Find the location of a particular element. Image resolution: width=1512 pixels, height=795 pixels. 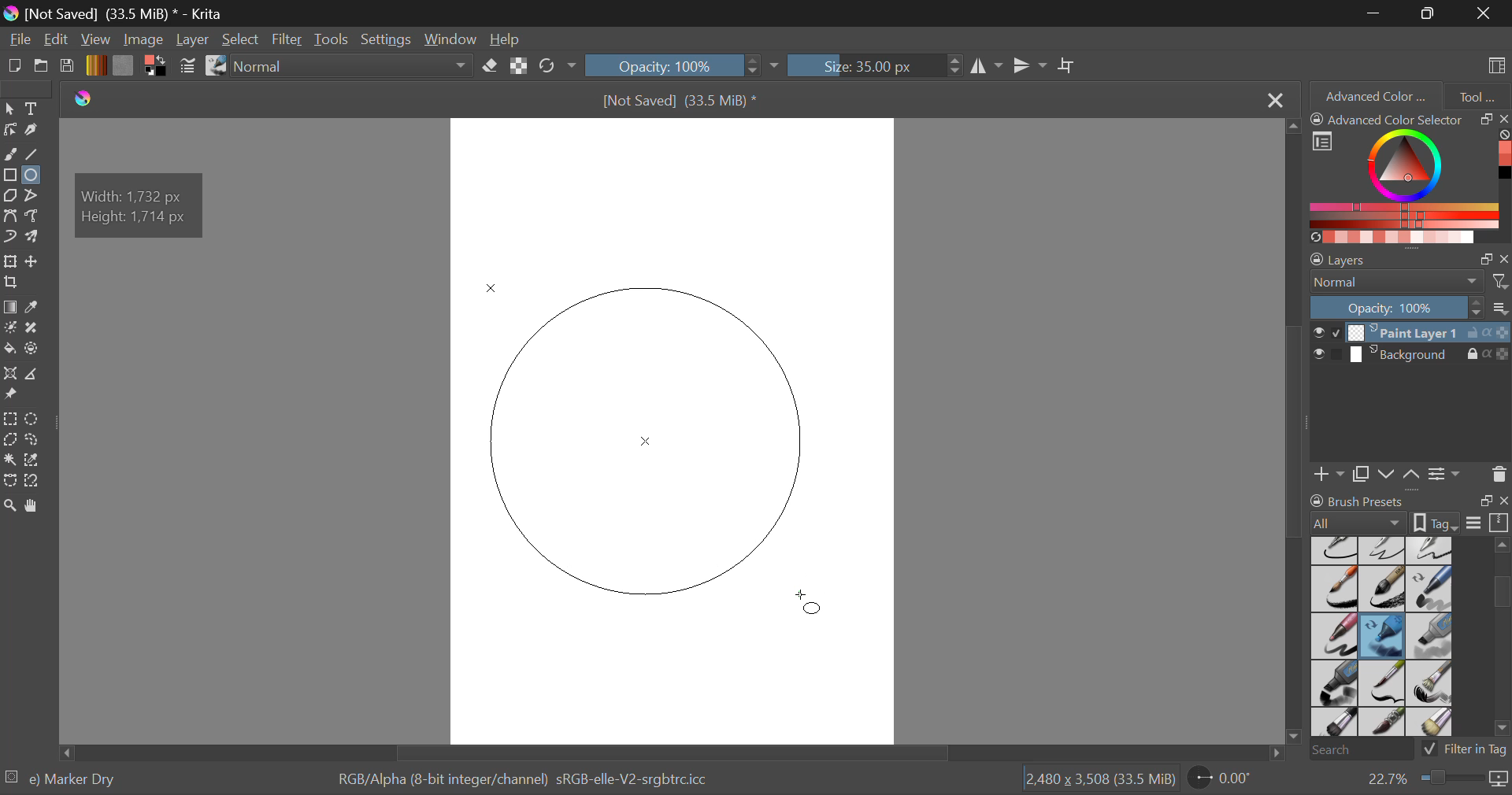

Marker Dry is located at coordinates (1383, 636).